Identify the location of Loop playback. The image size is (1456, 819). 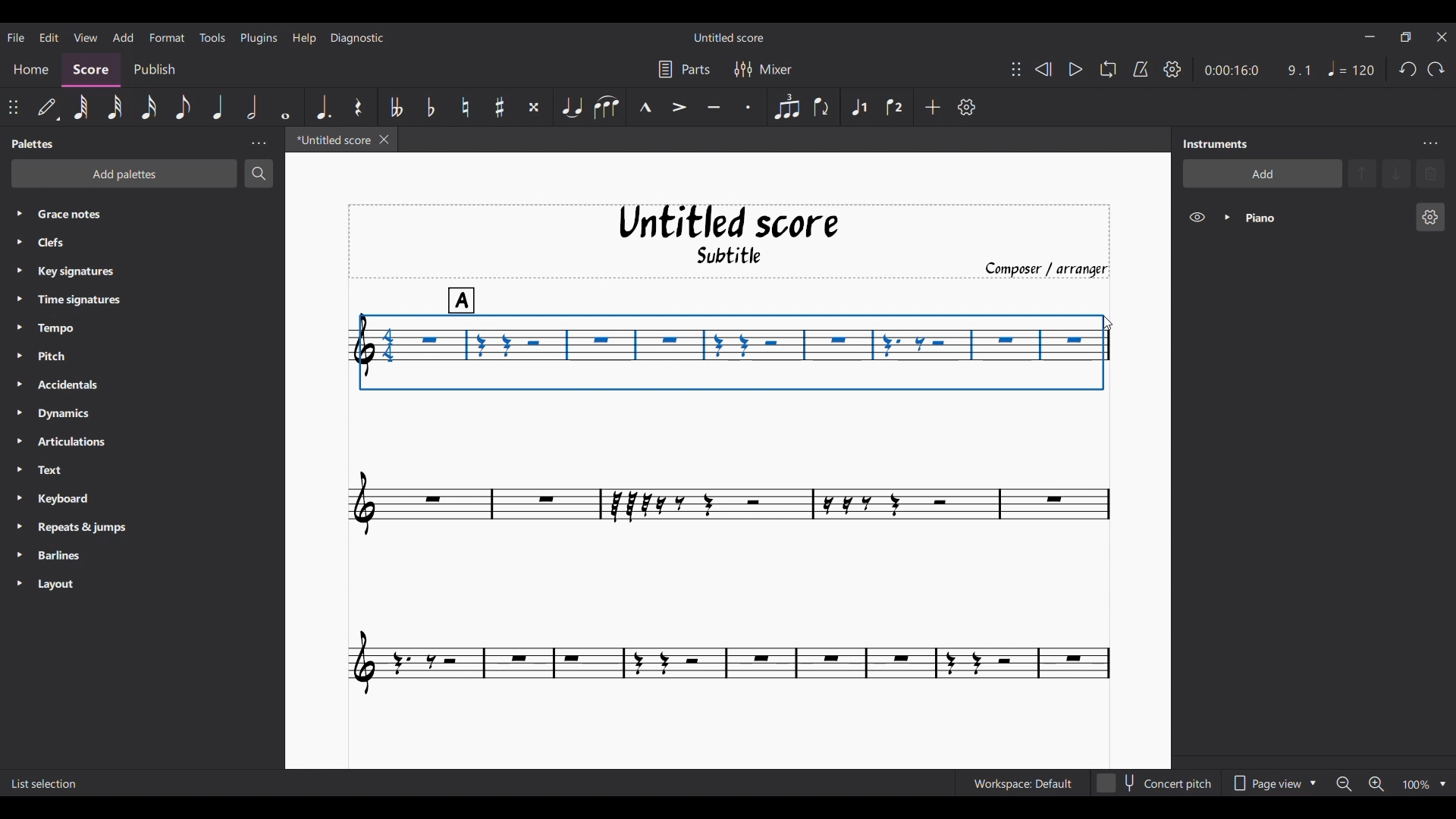
(1108, 69).